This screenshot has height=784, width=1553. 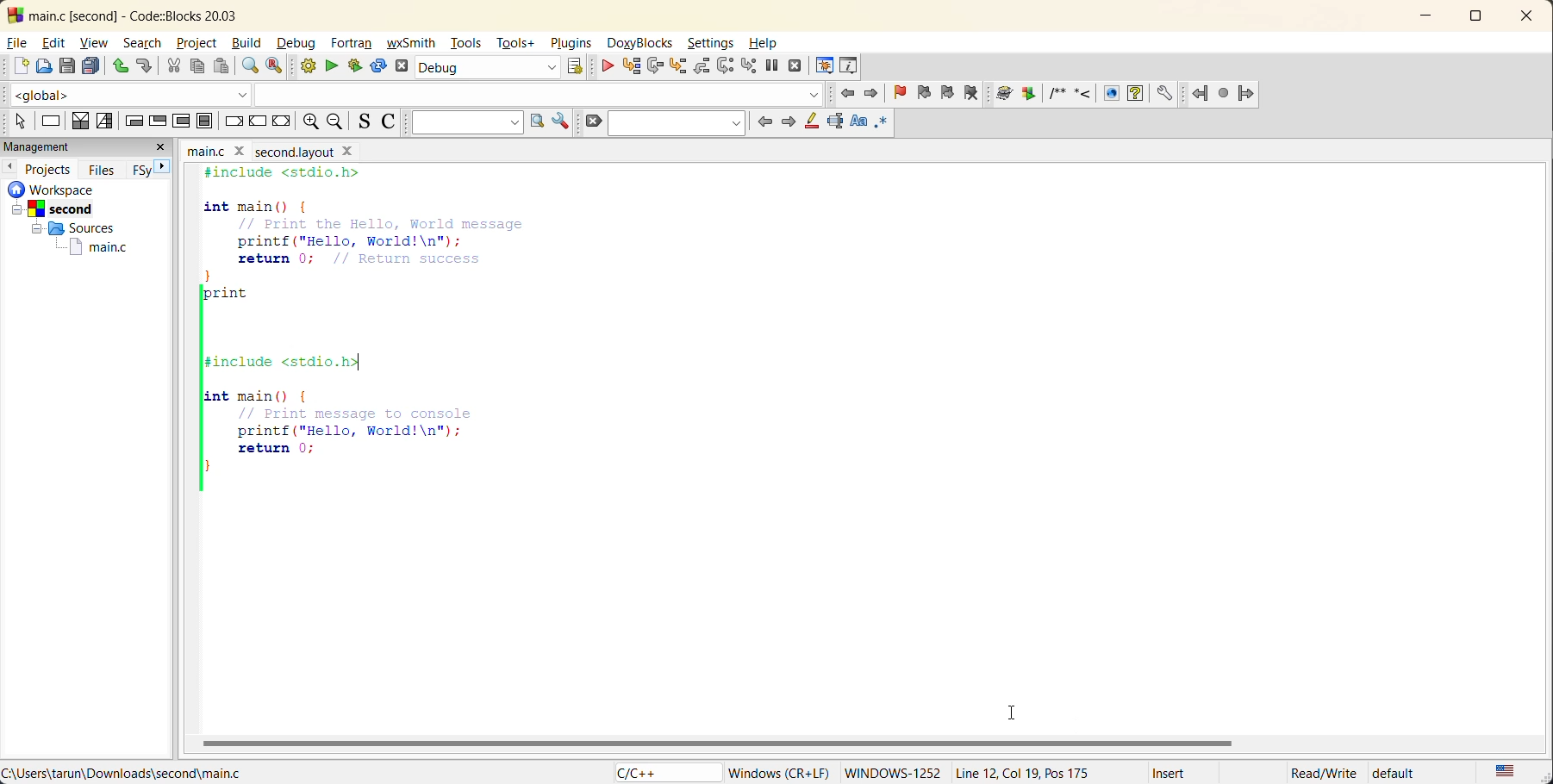 I want to click on rebuild, so click(x=377, y=68).